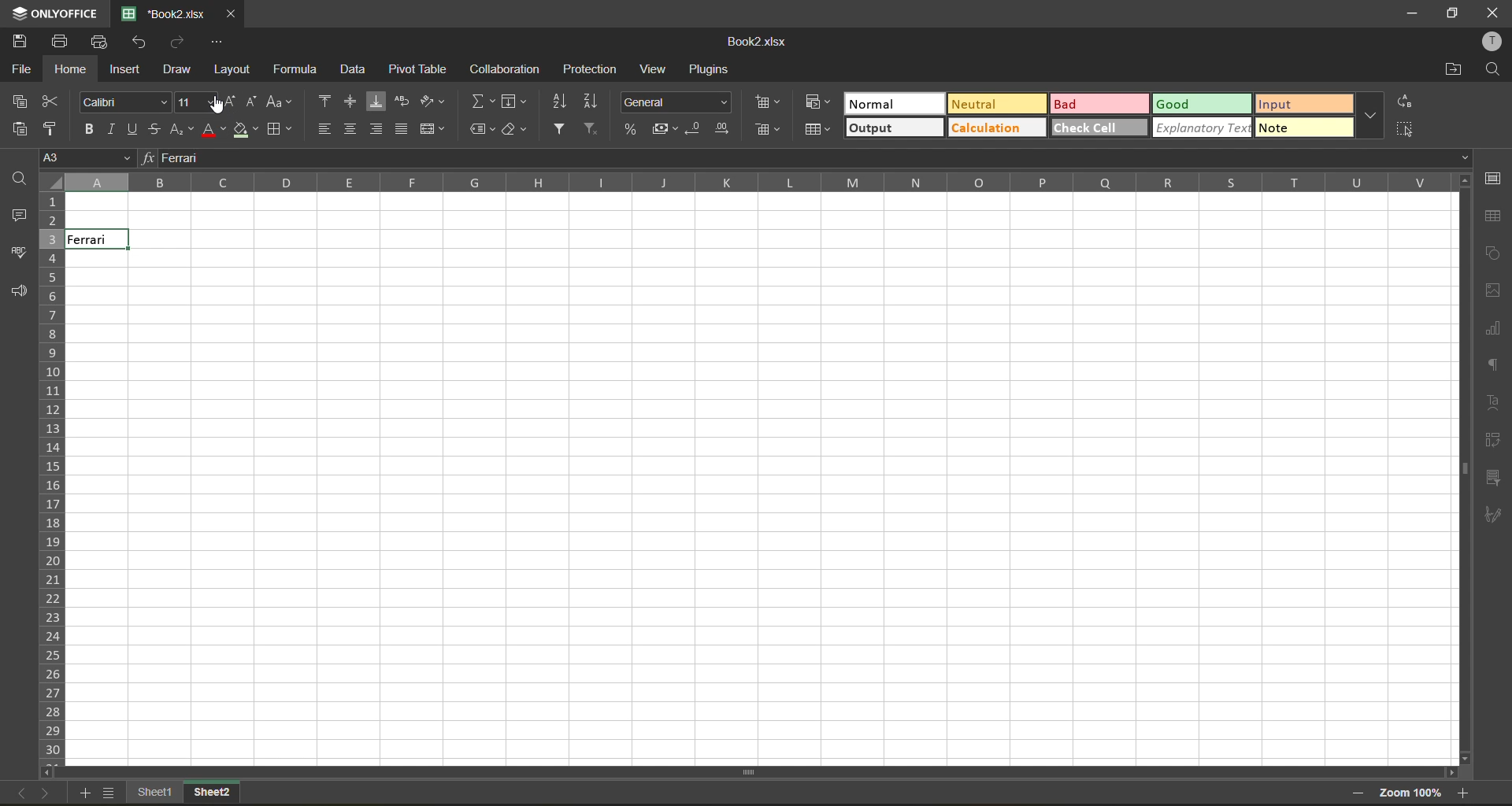  I want to click on clear filter, so click(591, 128).